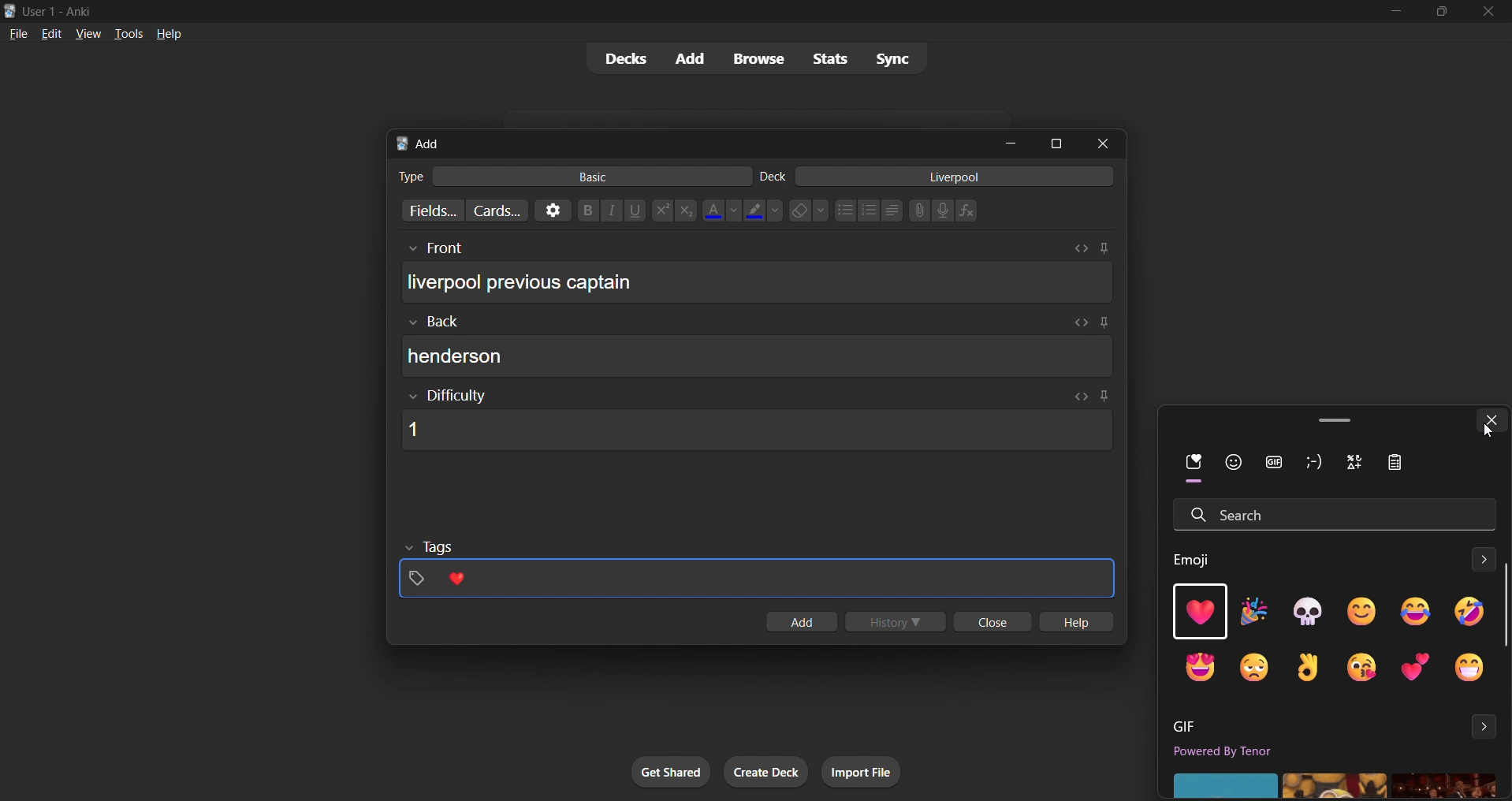 This screenshot has height=801, width=1512. Describe the element at coordinates (1485, 727) in the screenshot. I see `expand` at that location.